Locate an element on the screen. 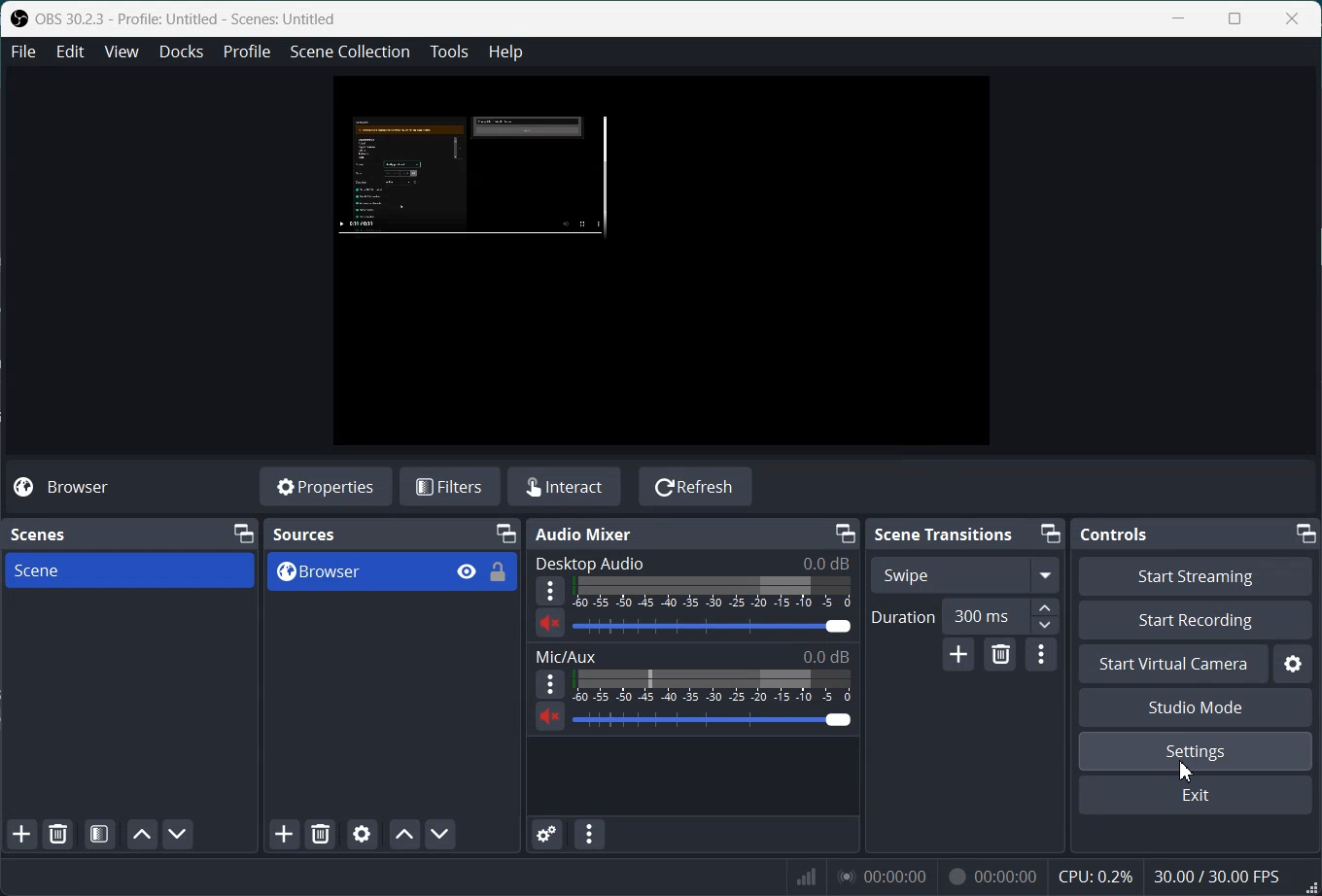  Open Scene Filter is located at coordinates (99, 834).